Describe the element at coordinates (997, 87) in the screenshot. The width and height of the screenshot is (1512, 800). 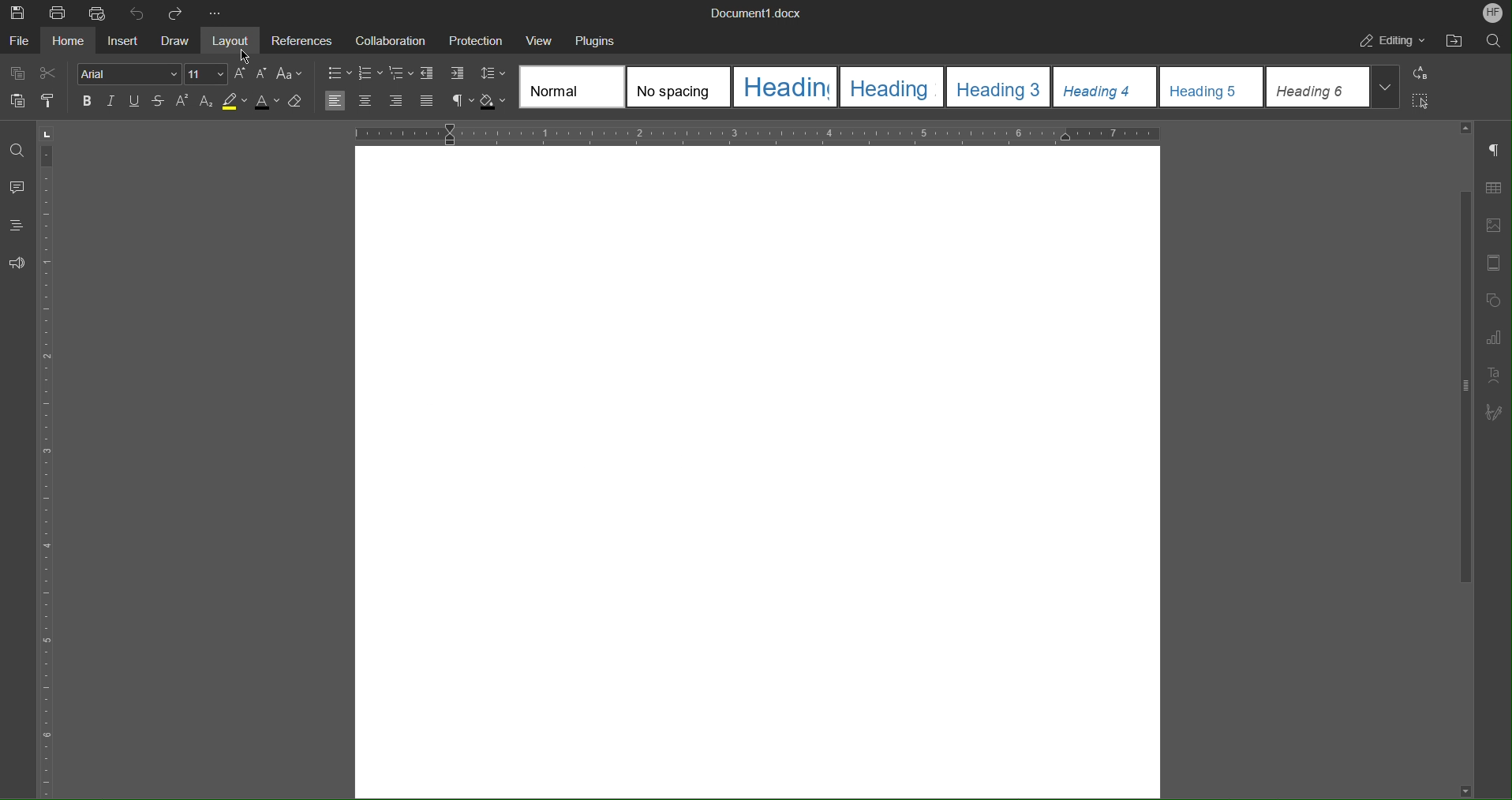
I see `Heading 3` at that location.